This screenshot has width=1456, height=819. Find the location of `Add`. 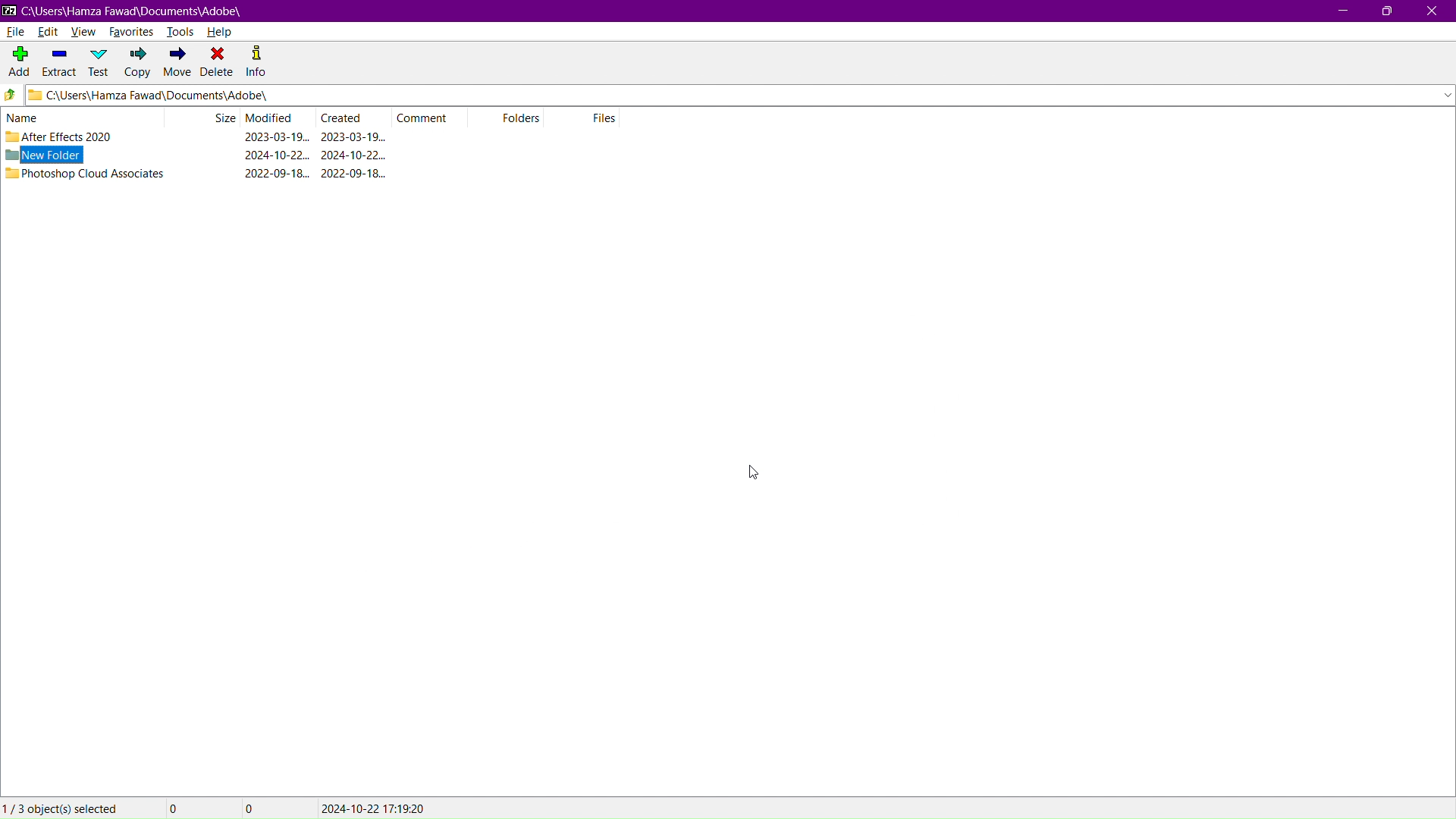

Add is located at coordinates (17, 59).